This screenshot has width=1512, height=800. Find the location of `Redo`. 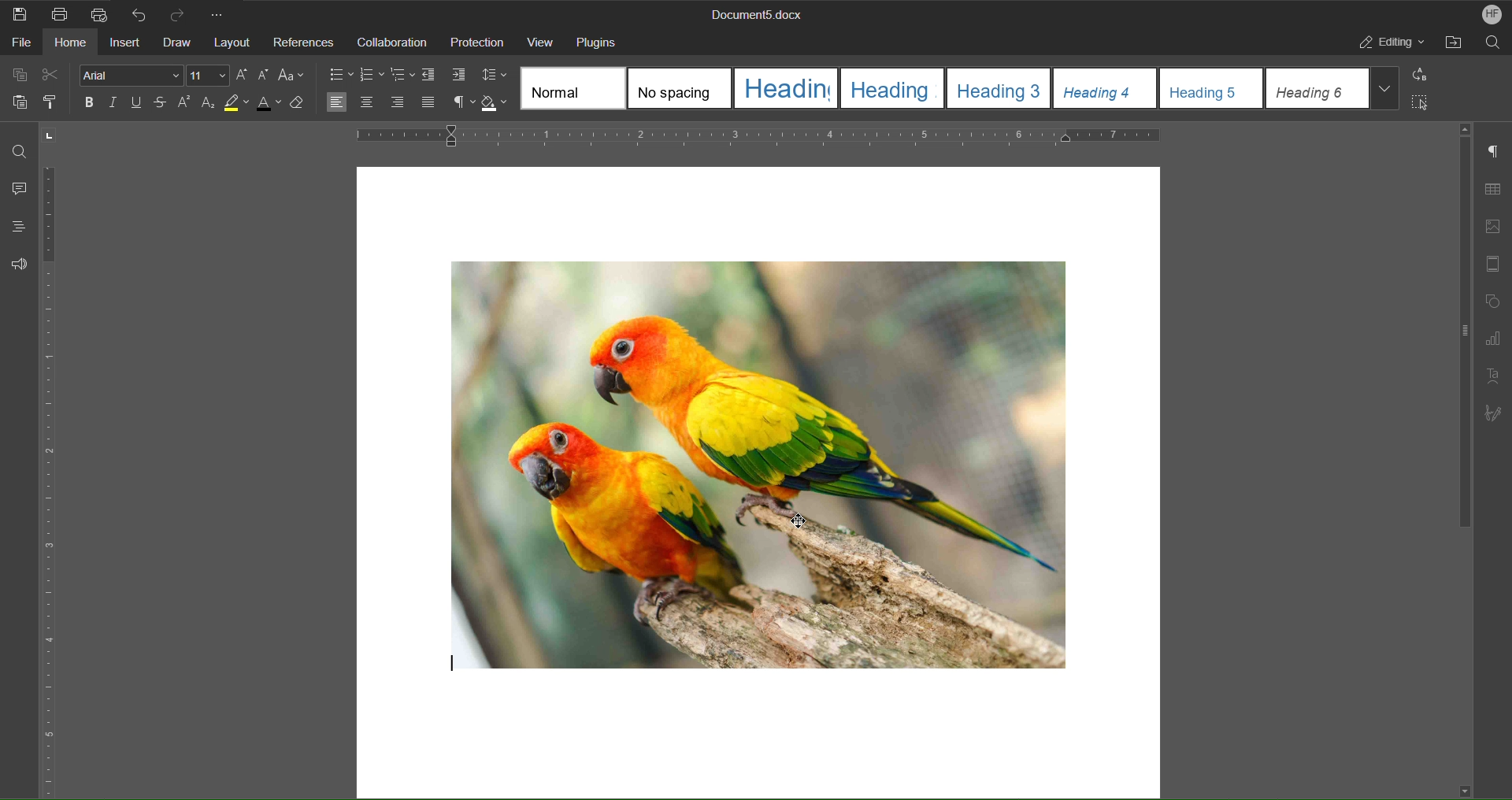

Redo is located at coordinates (183, 13).